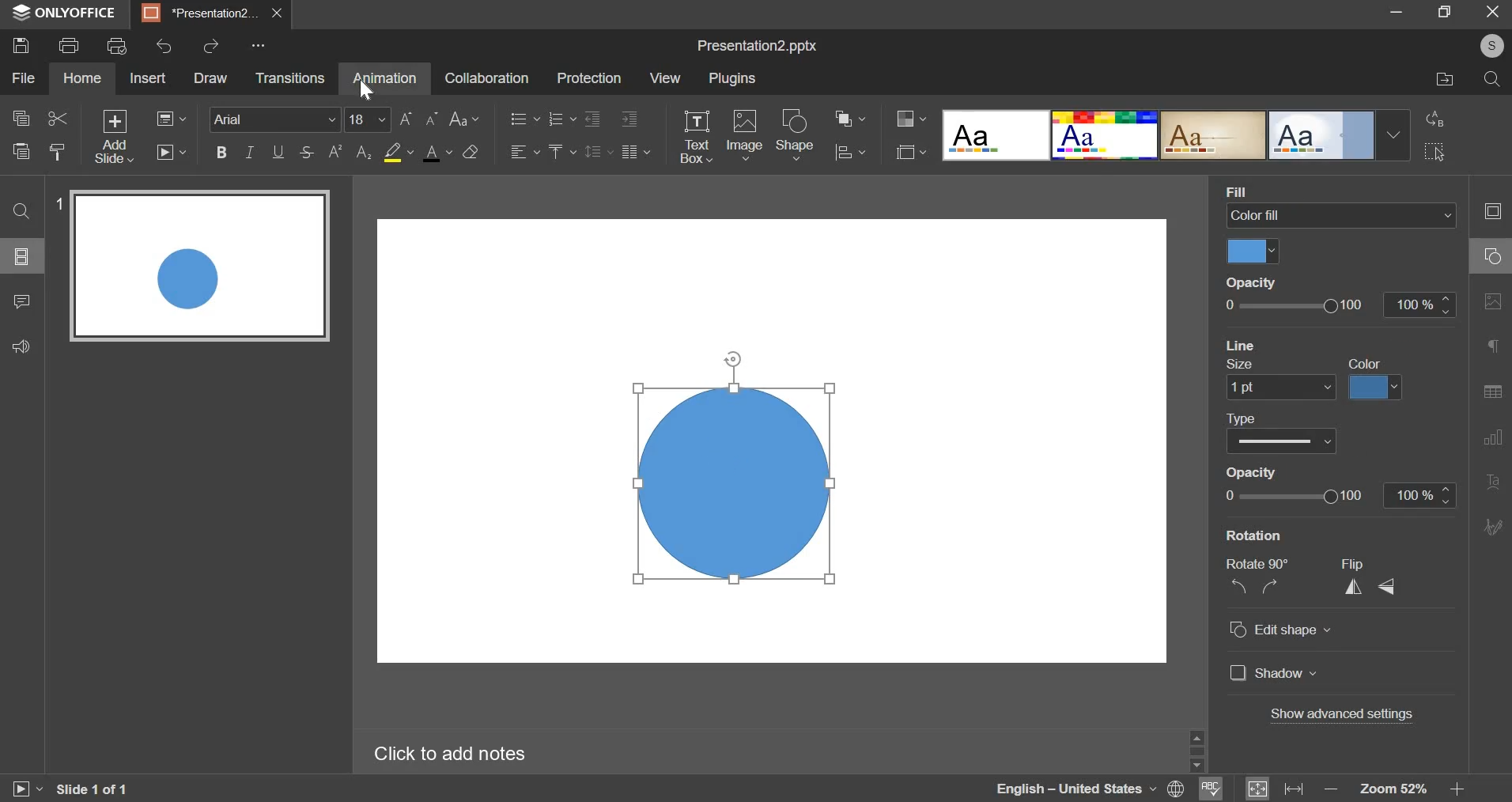 The height and width of the screenshot is (802, 1512). Describe the element at coordinates (290, 78) in the screenshot. I see `transitions` at that location.